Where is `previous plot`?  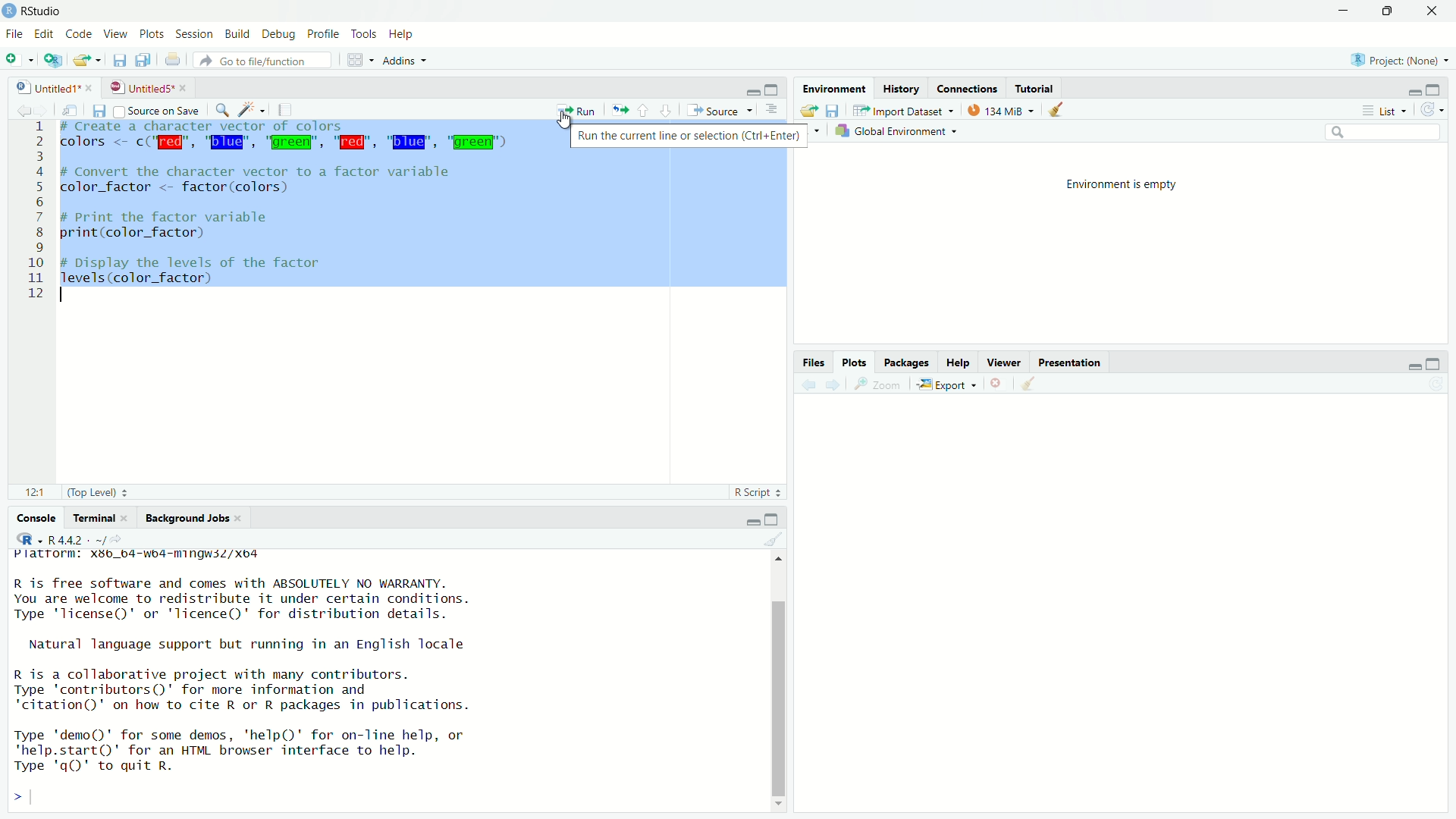 previous plot is located at coordinates (805, 384).